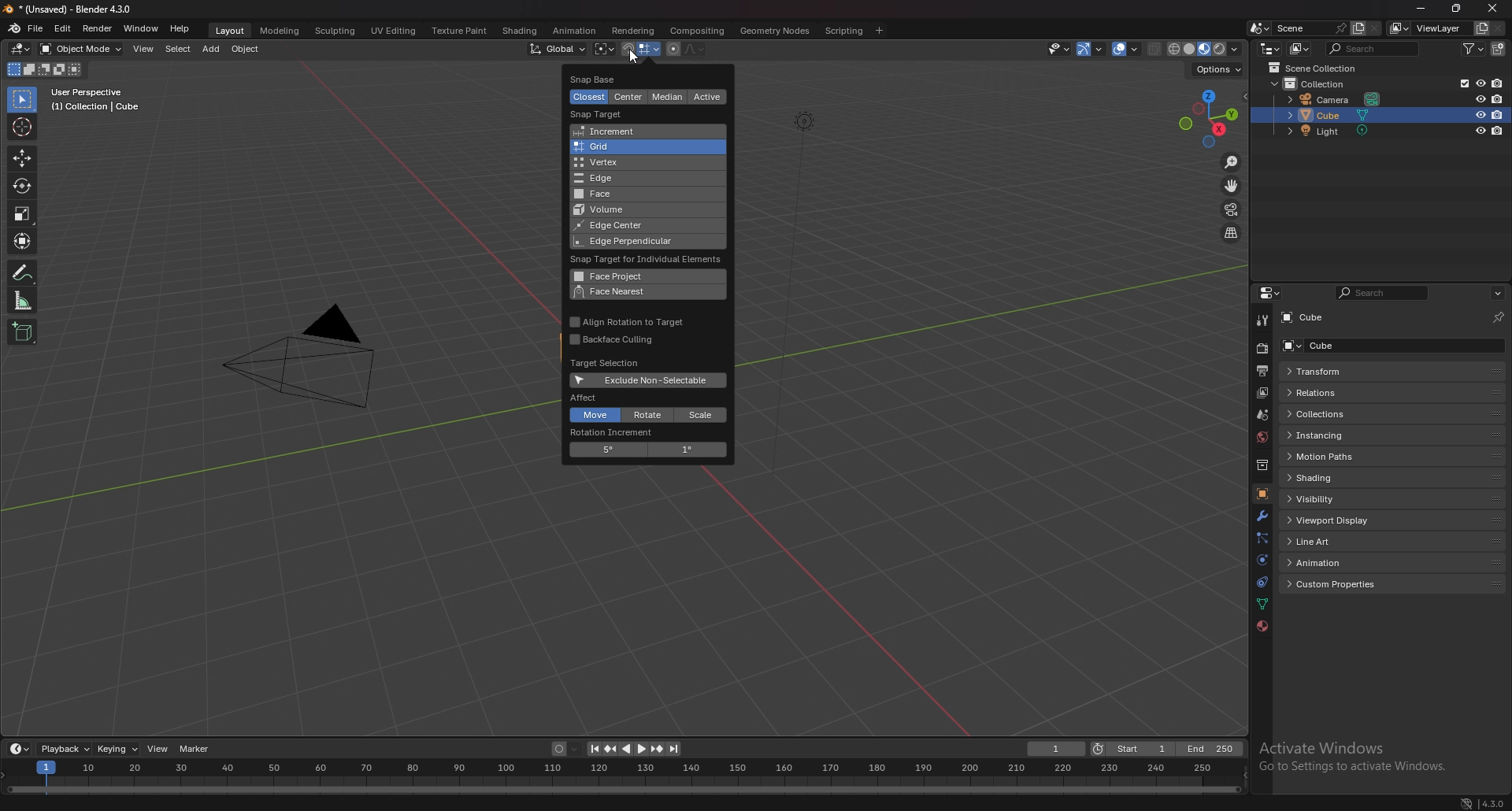  What do you see at coordinates (604, 49) in the screenshot?
I see `transform pivot point` at bounding box center [604, 49].